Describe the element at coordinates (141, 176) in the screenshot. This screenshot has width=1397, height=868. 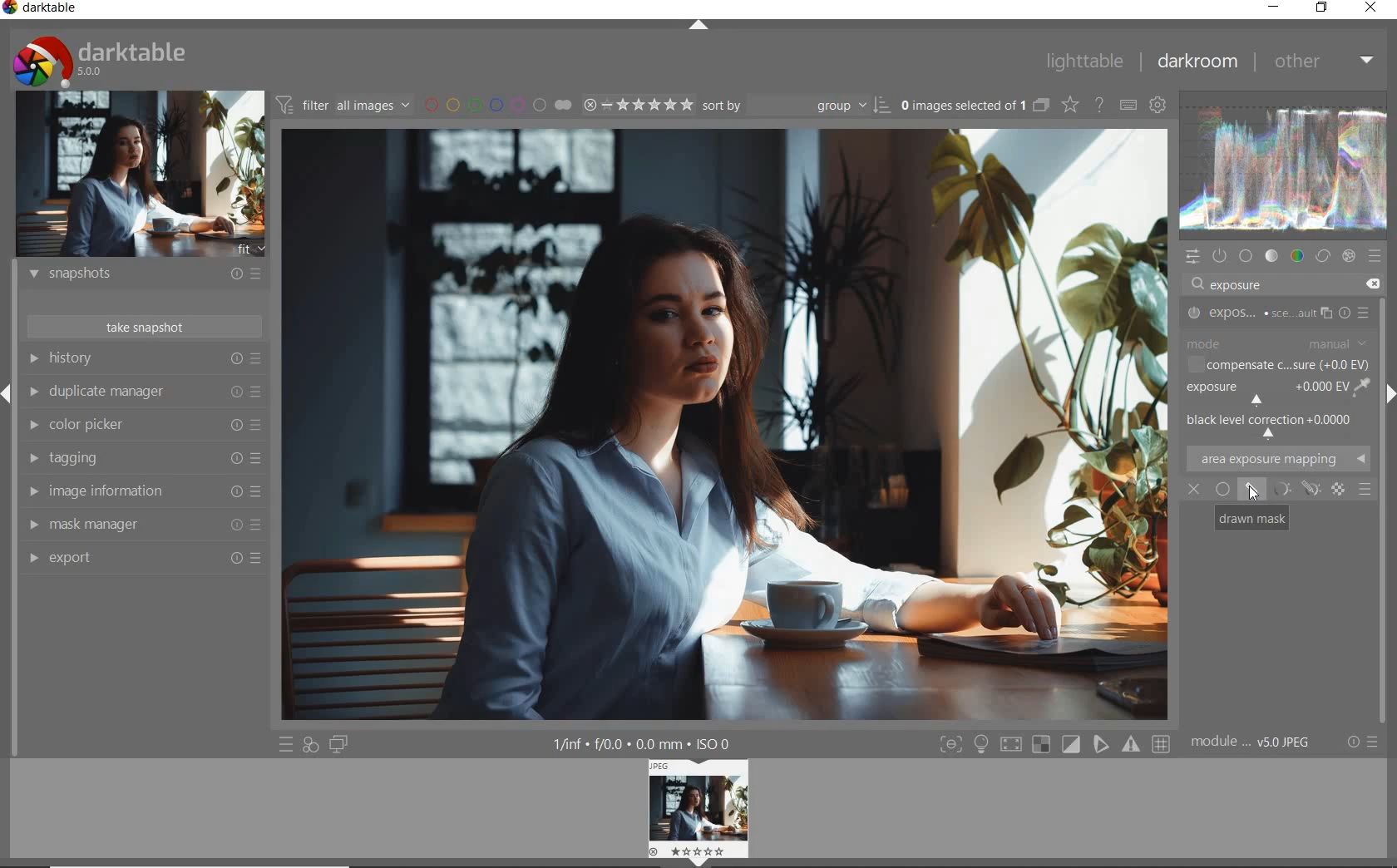
I see `image preview` at that location.